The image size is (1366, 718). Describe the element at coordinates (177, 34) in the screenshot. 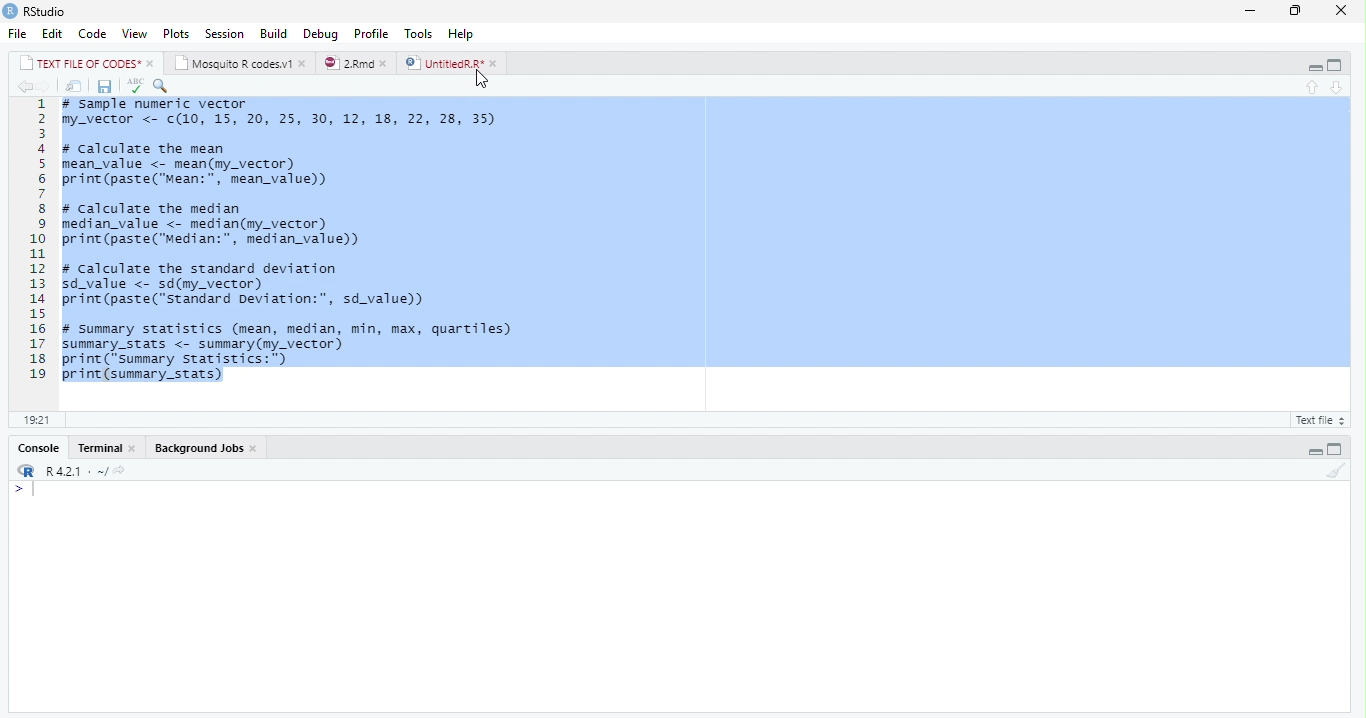

I see `plots` at that location.